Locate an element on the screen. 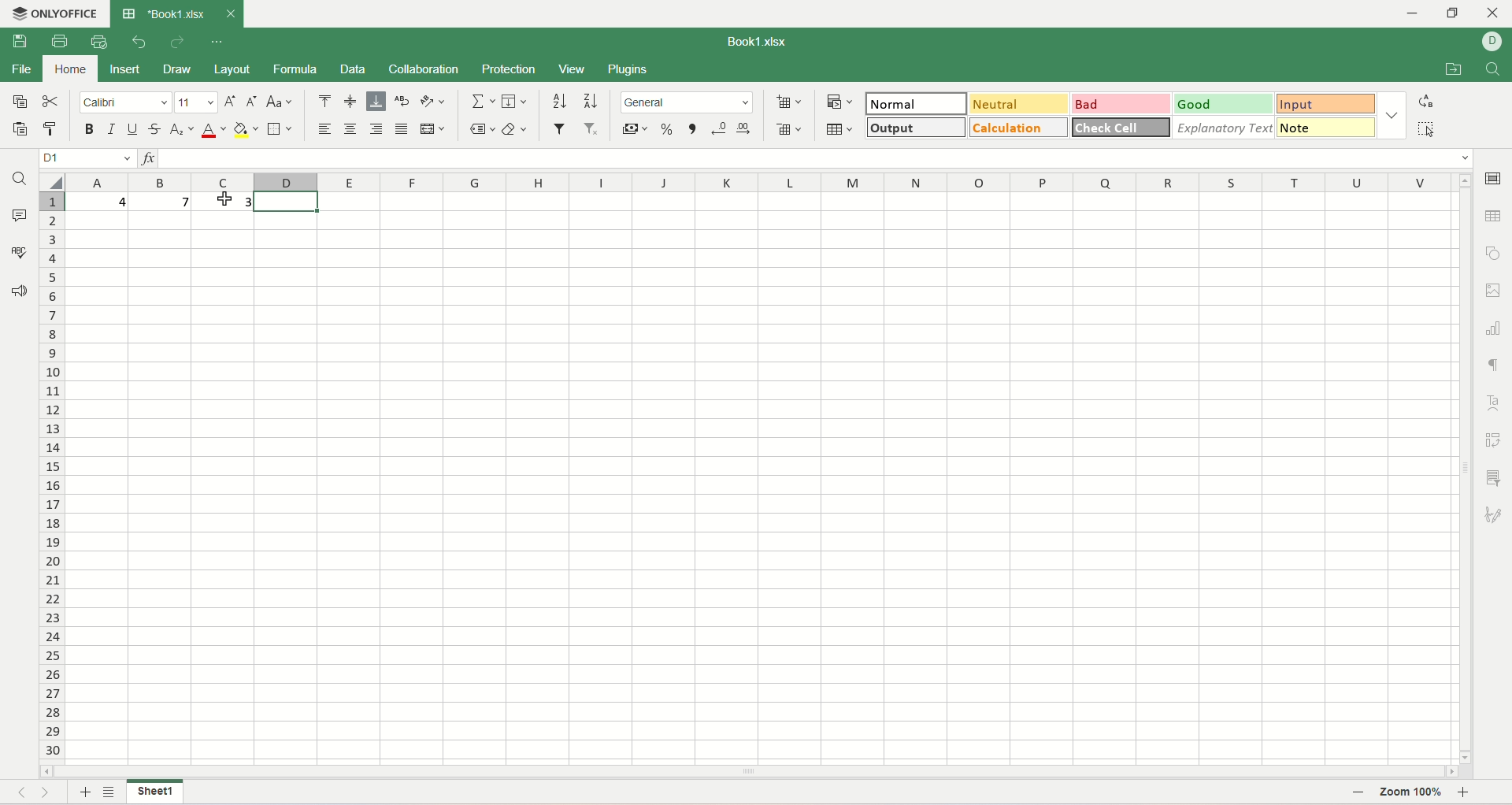 The height and width of the screenshot is (805, 1512). undo is located at coordinates (139, 43).